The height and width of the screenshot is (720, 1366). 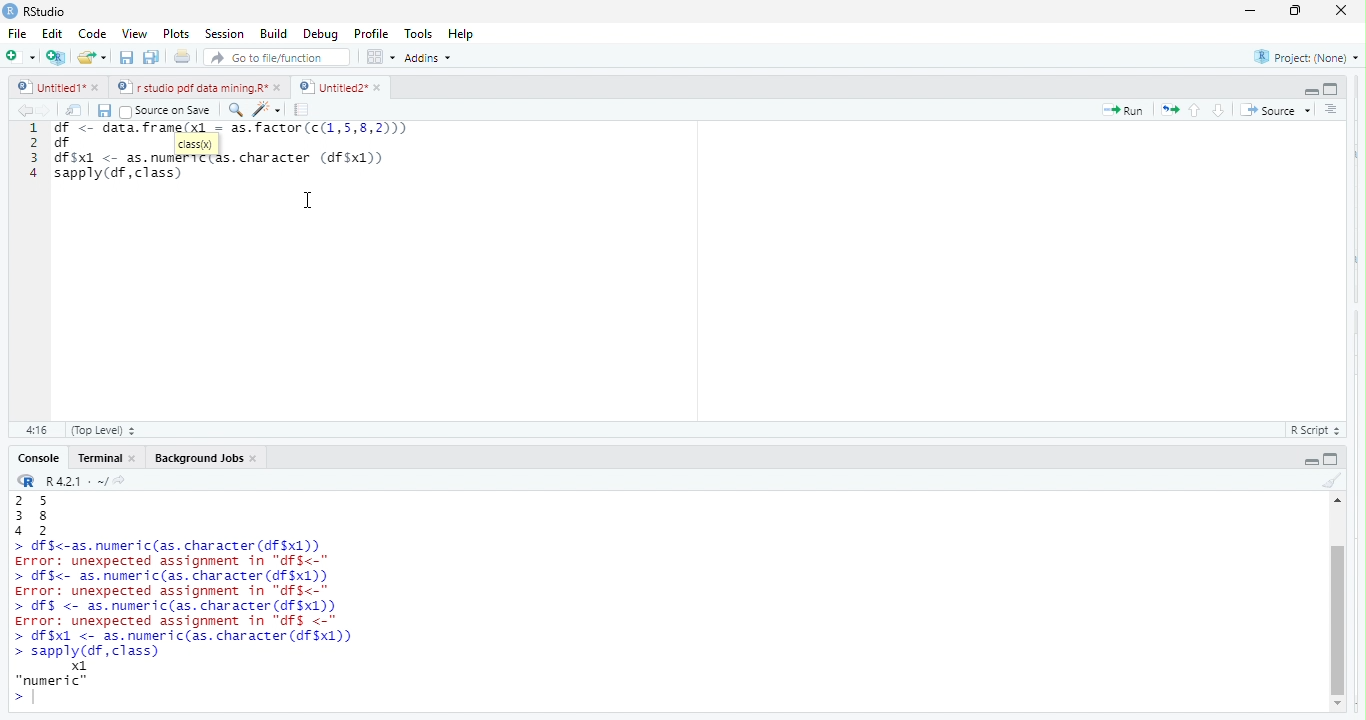 I want to click on save current document, so click(x=127, y=57).